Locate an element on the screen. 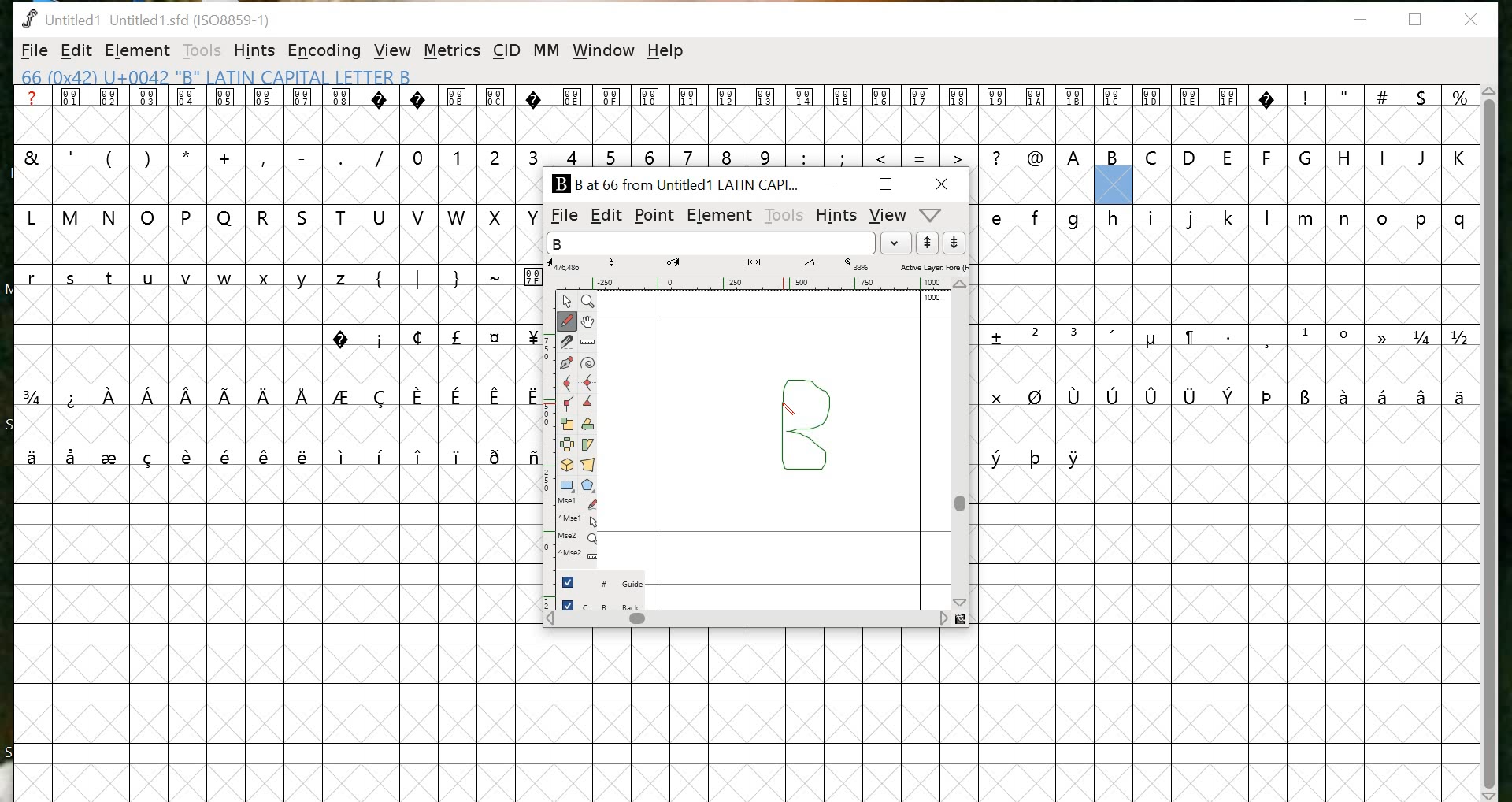 This screenshot has height=802, width=1512. Perspective is located at coordinates (588, 466).